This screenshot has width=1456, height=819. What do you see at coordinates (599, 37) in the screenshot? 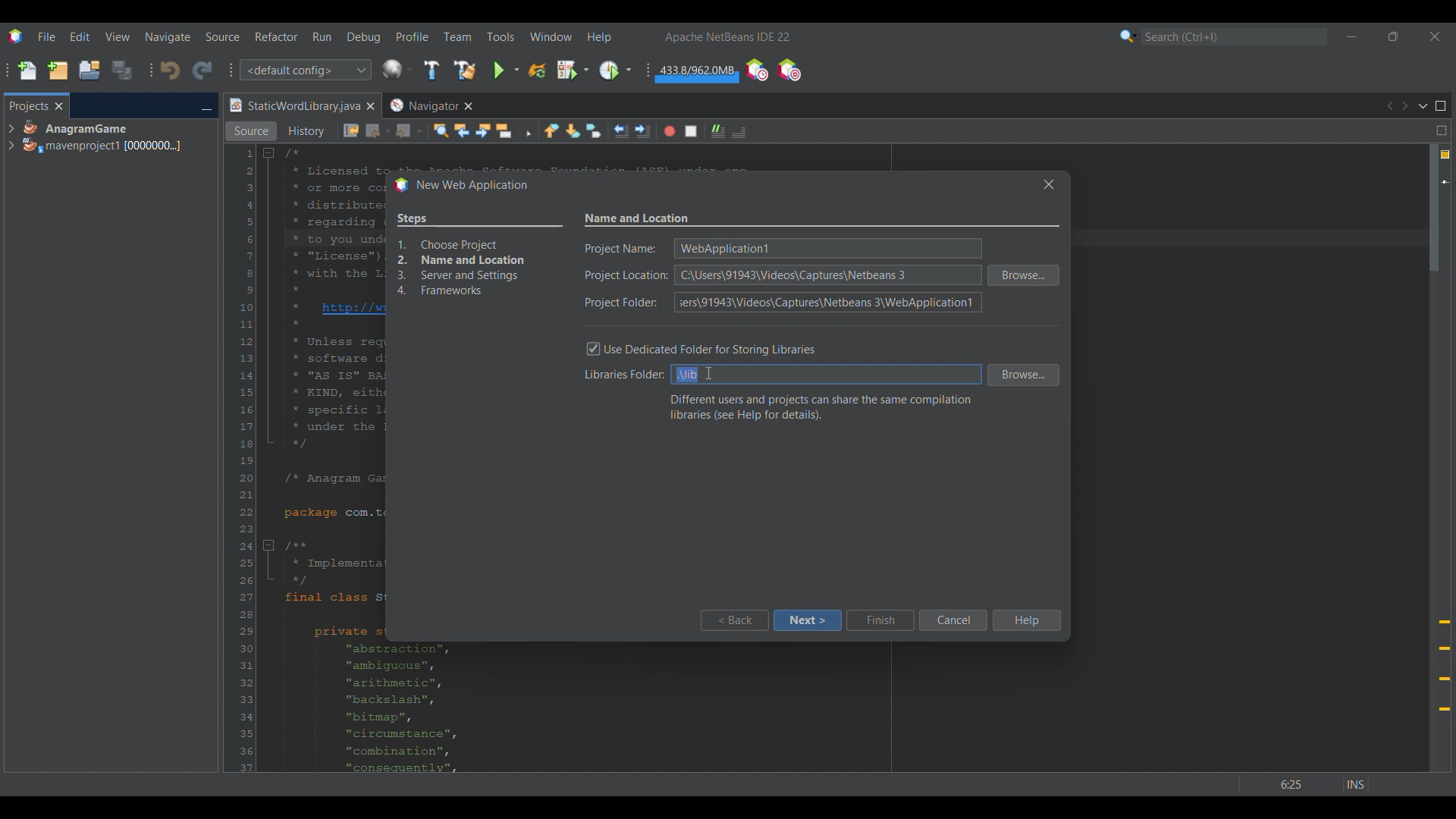
I see `Help menu` at bounding box center [599, 37].